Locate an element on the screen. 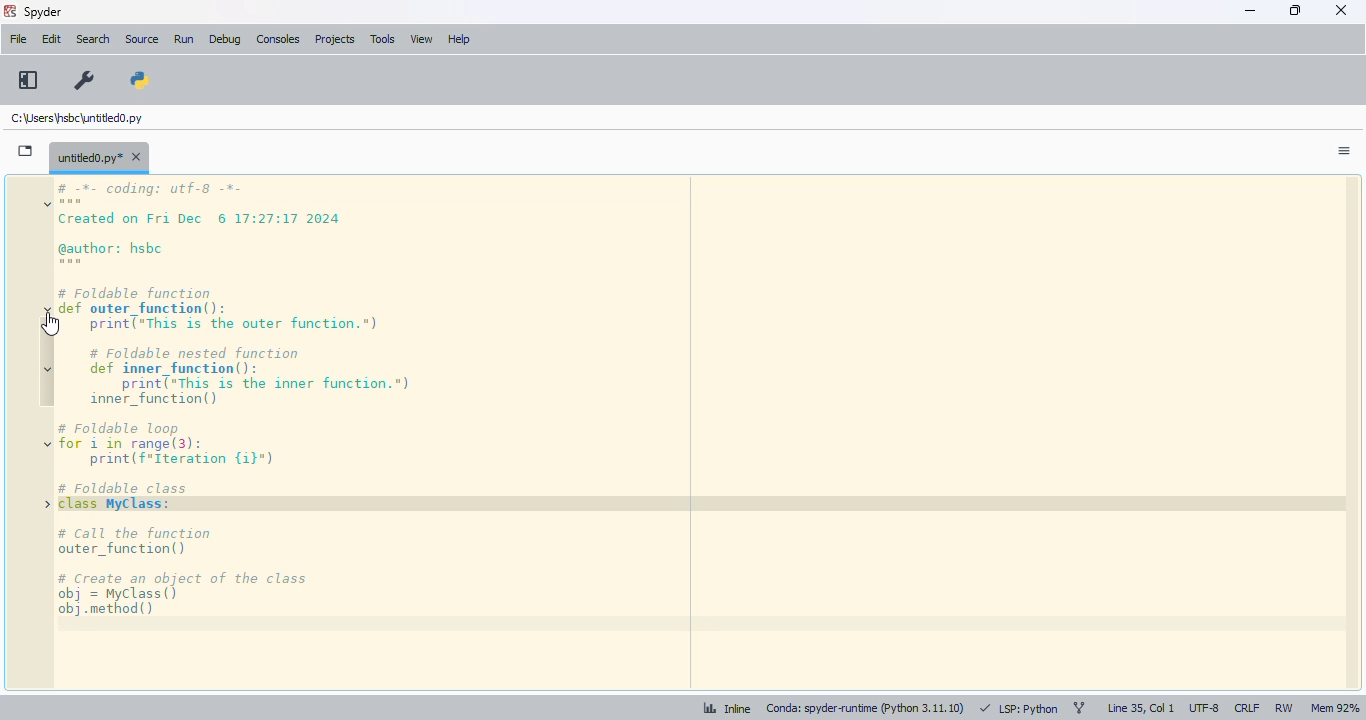 The height and width of the screenshot is (720, 1366). browse tabs is located at coordinates (26, 151).